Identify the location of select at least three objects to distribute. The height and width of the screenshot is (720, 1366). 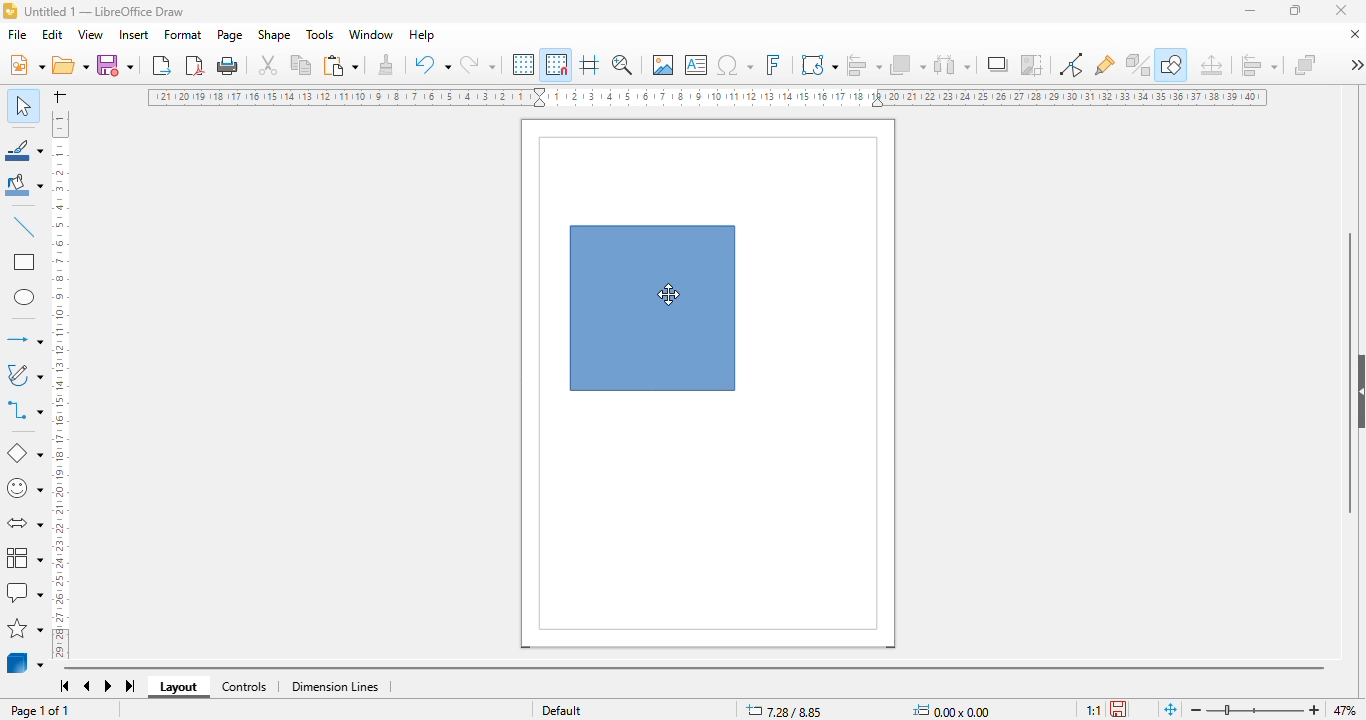
(953, 64).